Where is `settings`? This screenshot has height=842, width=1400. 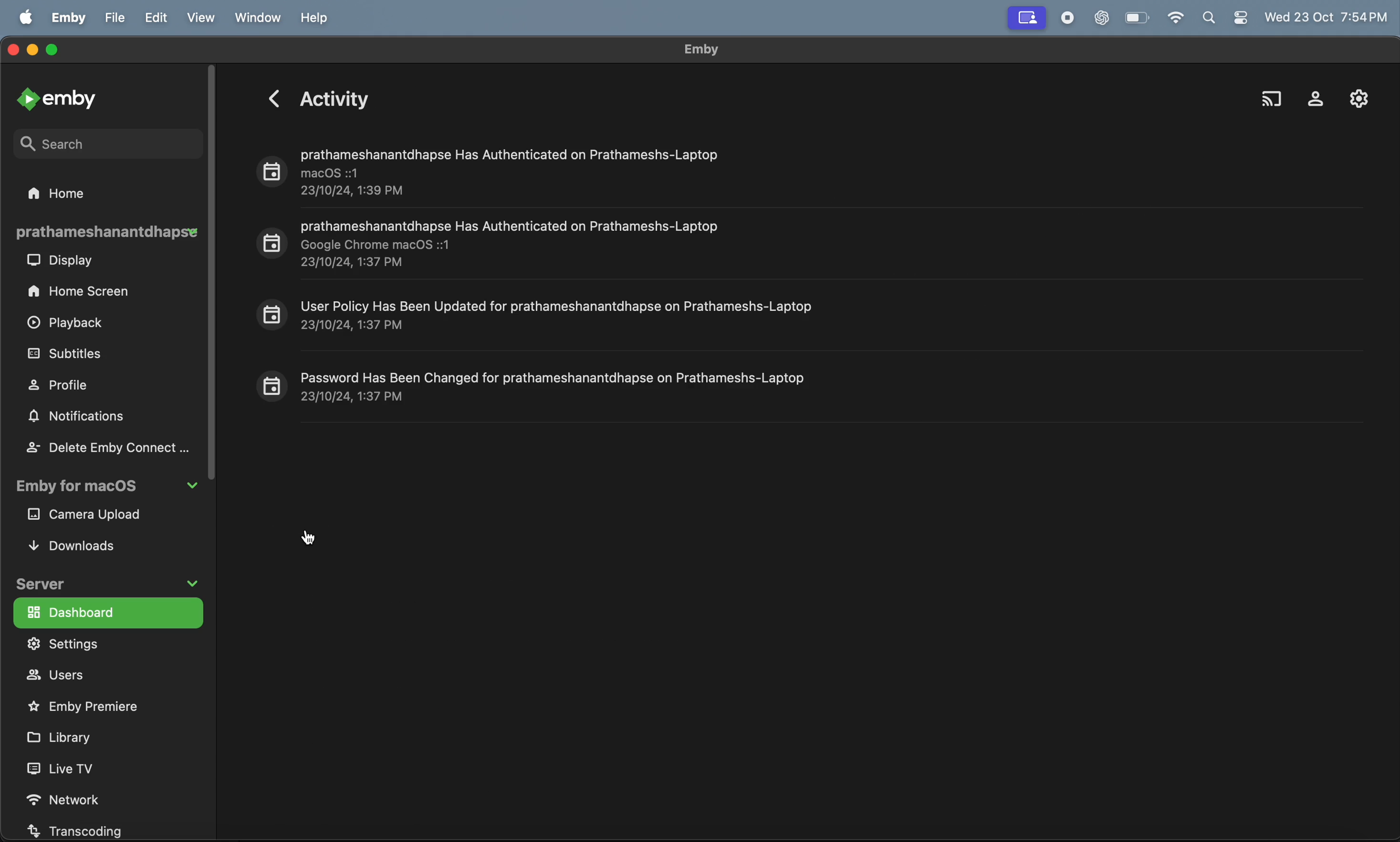 settings is located at coordinates (1354, 98).